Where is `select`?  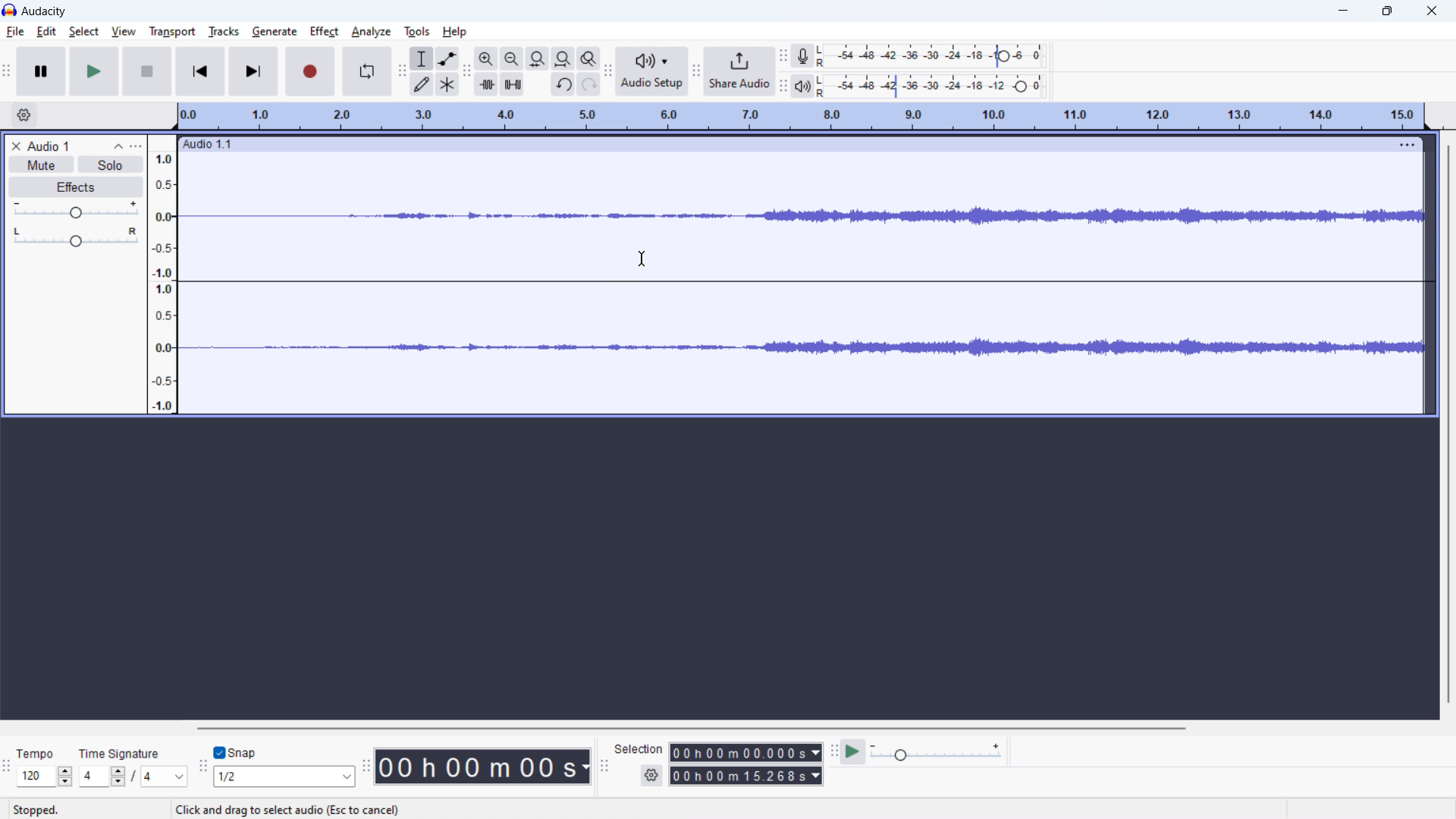
select is located at coordinates (83, 32).